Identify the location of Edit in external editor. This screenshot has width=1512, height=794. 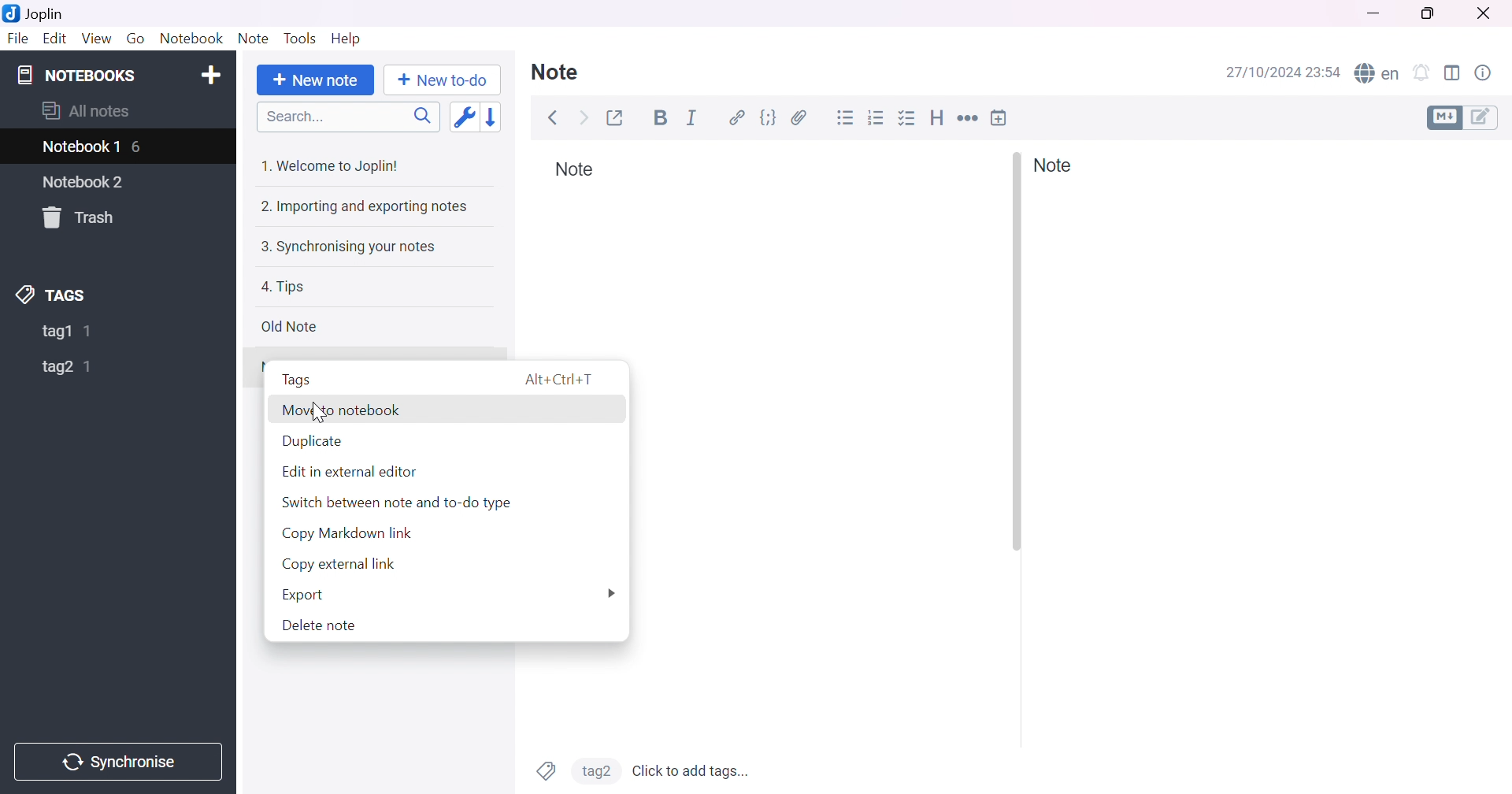
(355, 472).